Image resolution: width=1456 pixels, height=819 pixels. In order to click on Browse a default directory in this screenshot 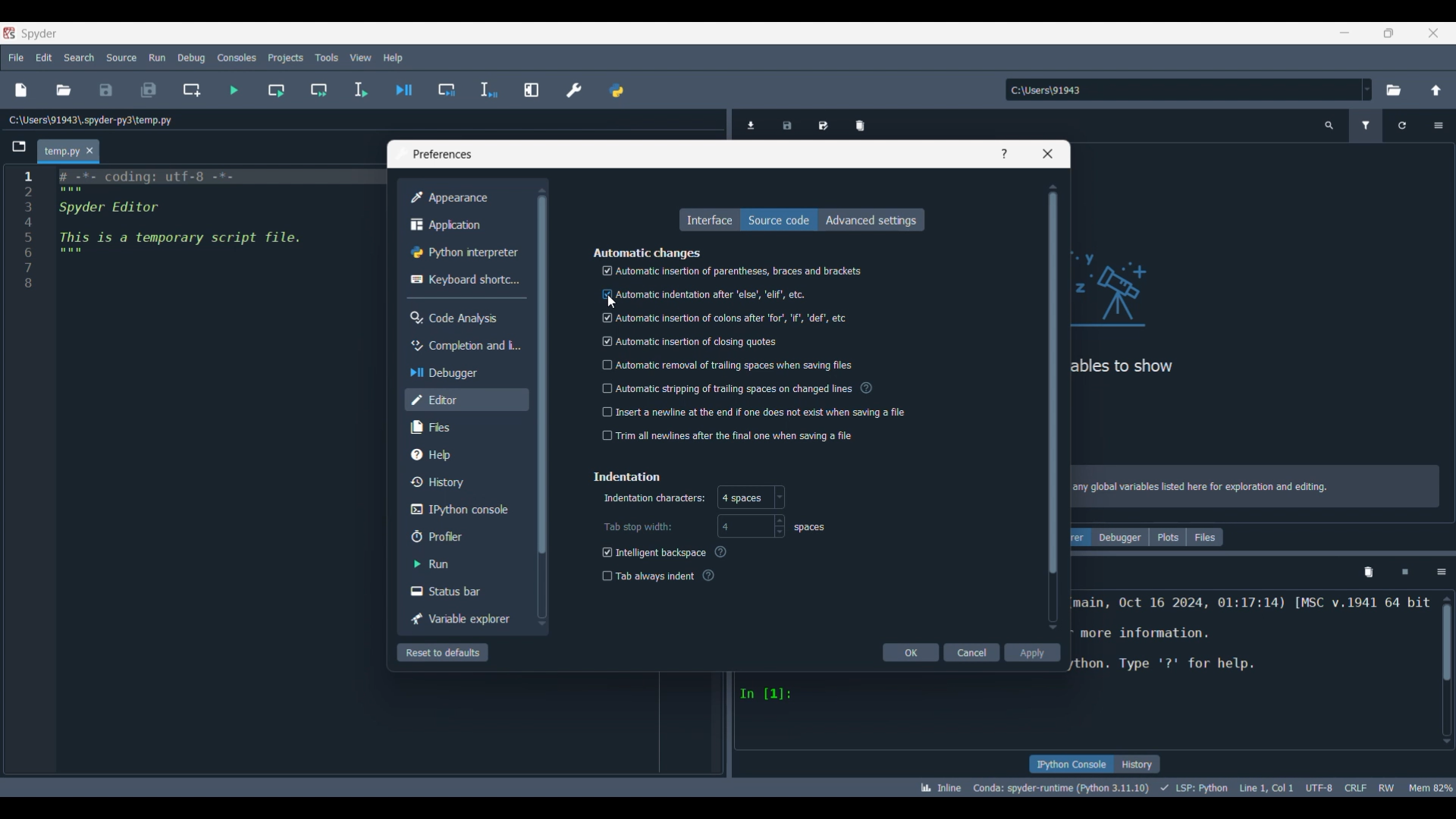, I will do `click(1394, 90)`.